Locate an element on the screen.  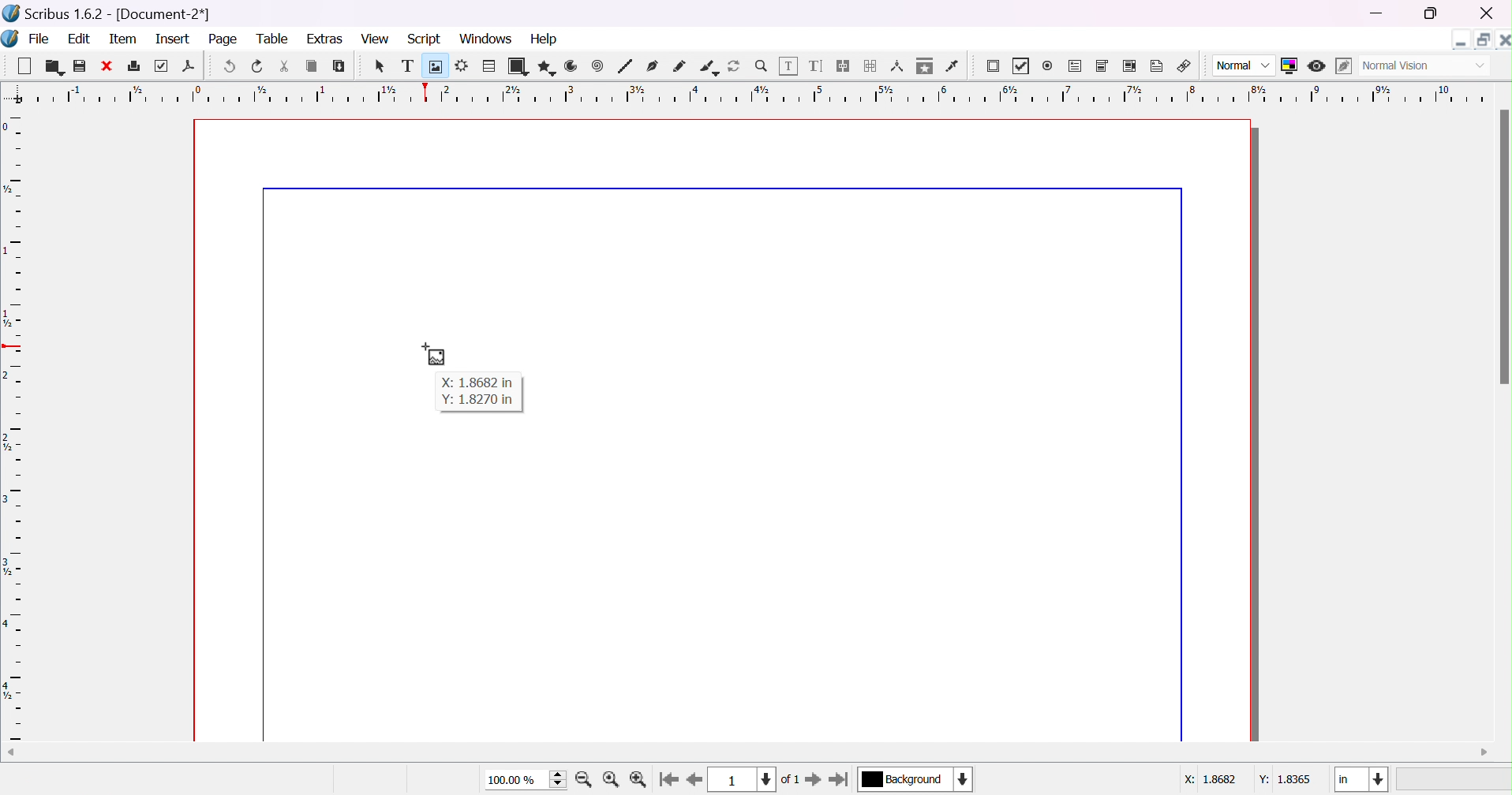
print is located at coordinates (133, 65).